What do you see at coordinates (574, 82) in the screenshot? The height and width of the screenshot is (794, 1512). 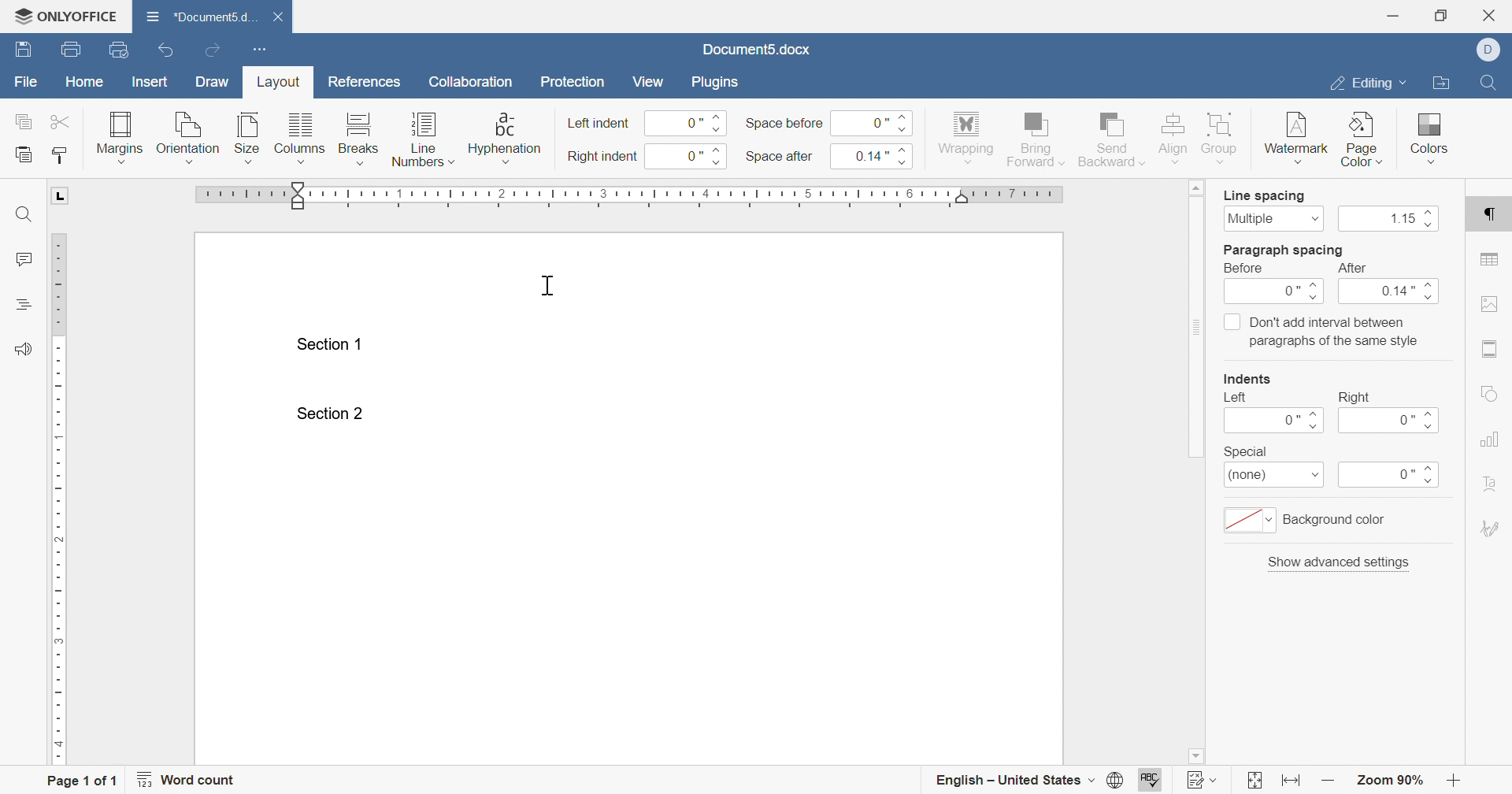 I see `protection` at bounding box center [574, 82].